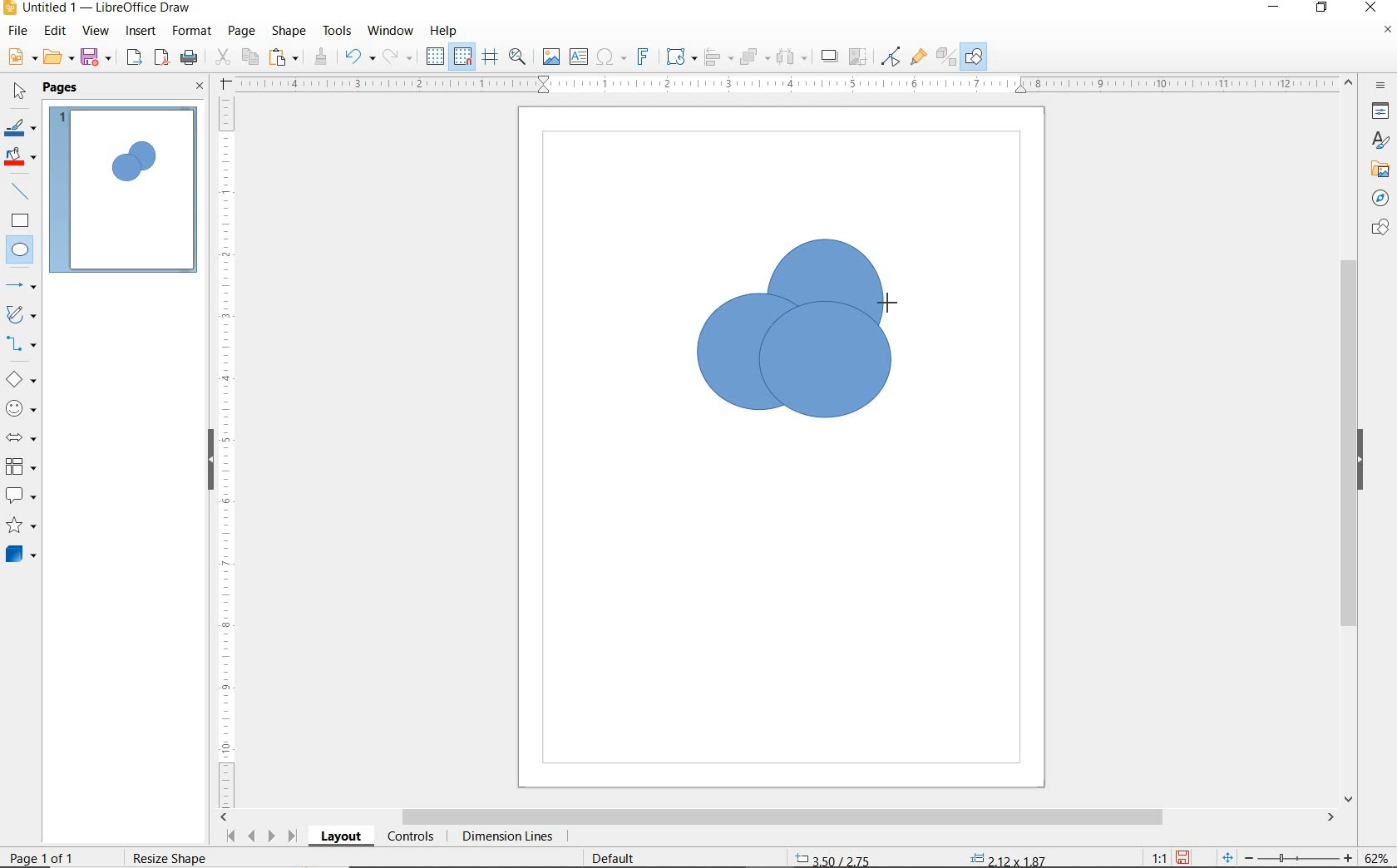 Image resolution: width=1397 pixels, height=868 pixels. What do you see at coordinates (162, 59) in the screenshot?
I see `EXPORT AS PDF` at bounding box center [162, 59].